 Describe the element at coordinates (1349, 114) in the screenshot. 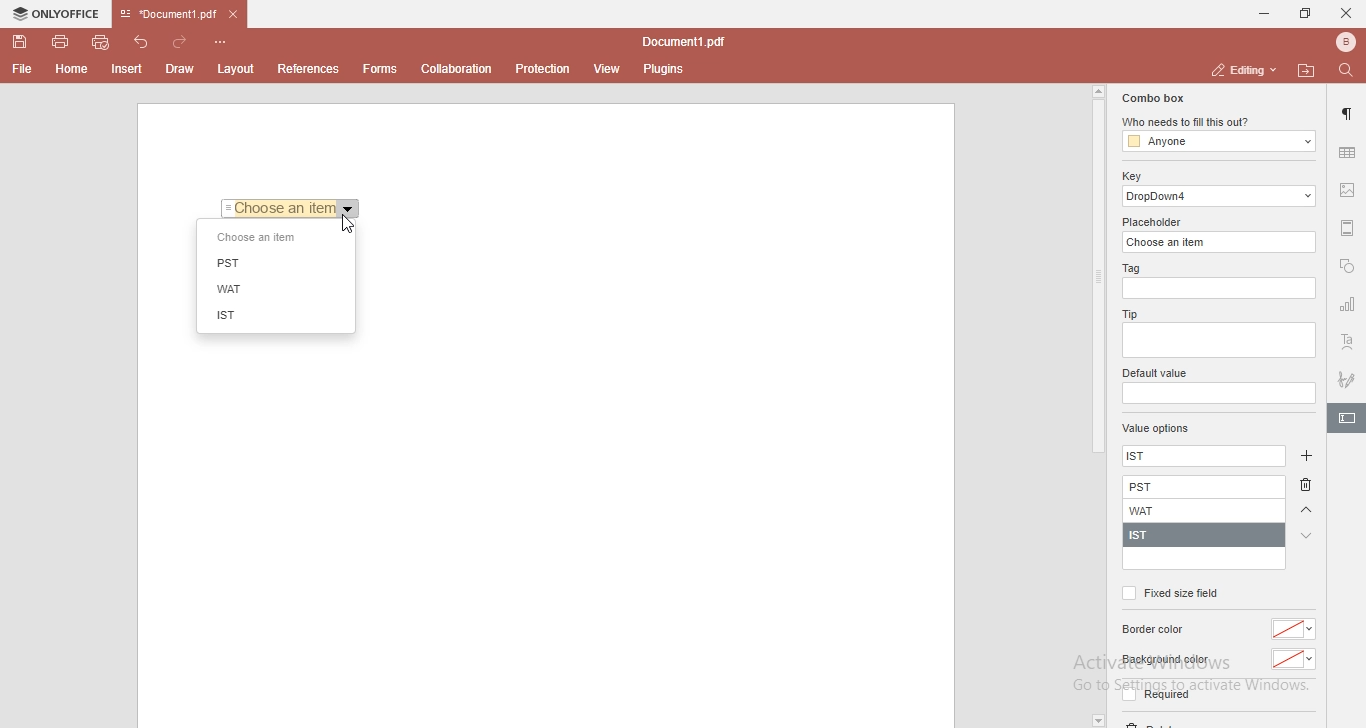

I see `paragraph` at that location.